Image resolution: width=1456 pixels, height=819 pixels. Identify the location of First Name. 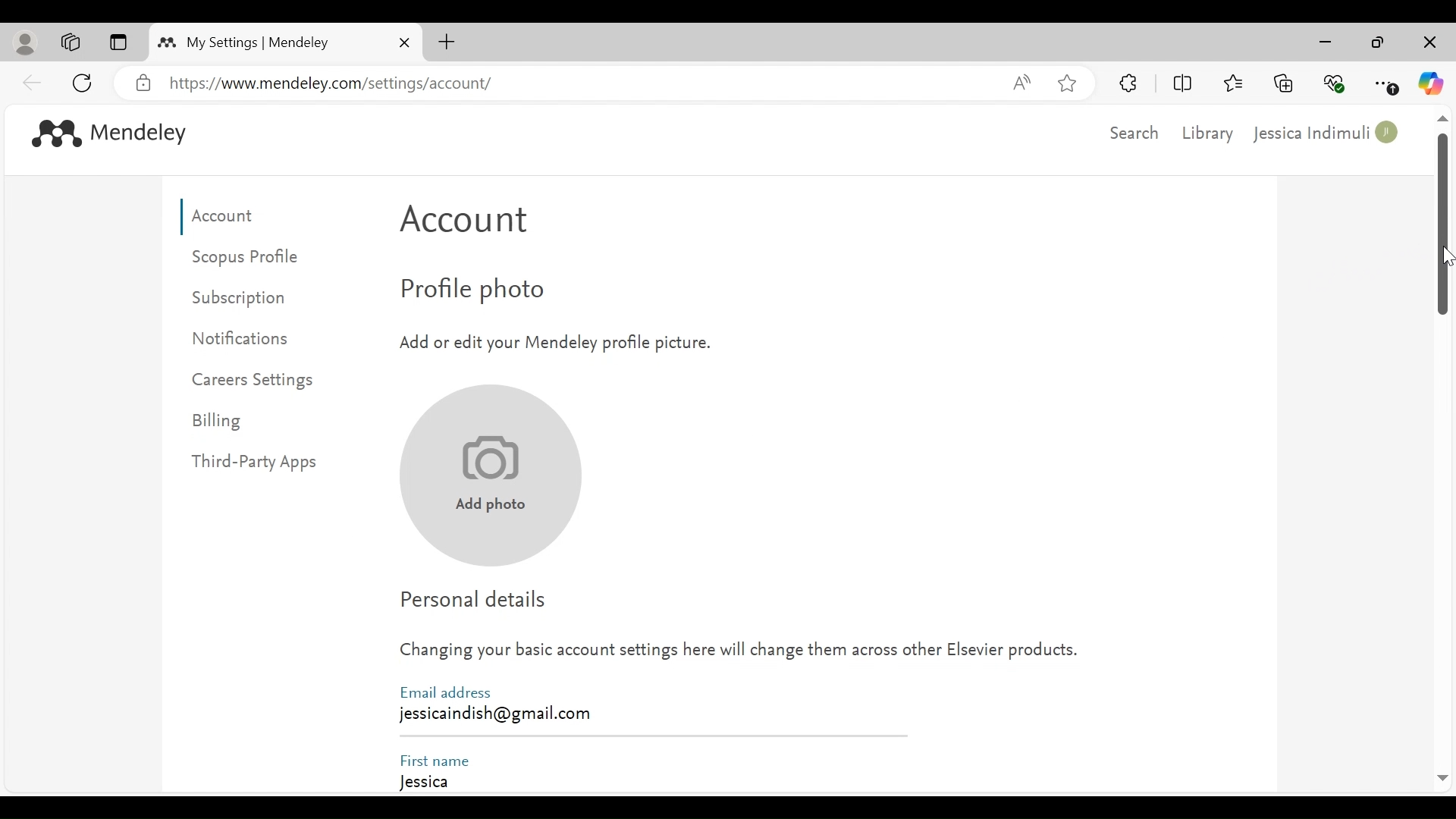
(436, 758).